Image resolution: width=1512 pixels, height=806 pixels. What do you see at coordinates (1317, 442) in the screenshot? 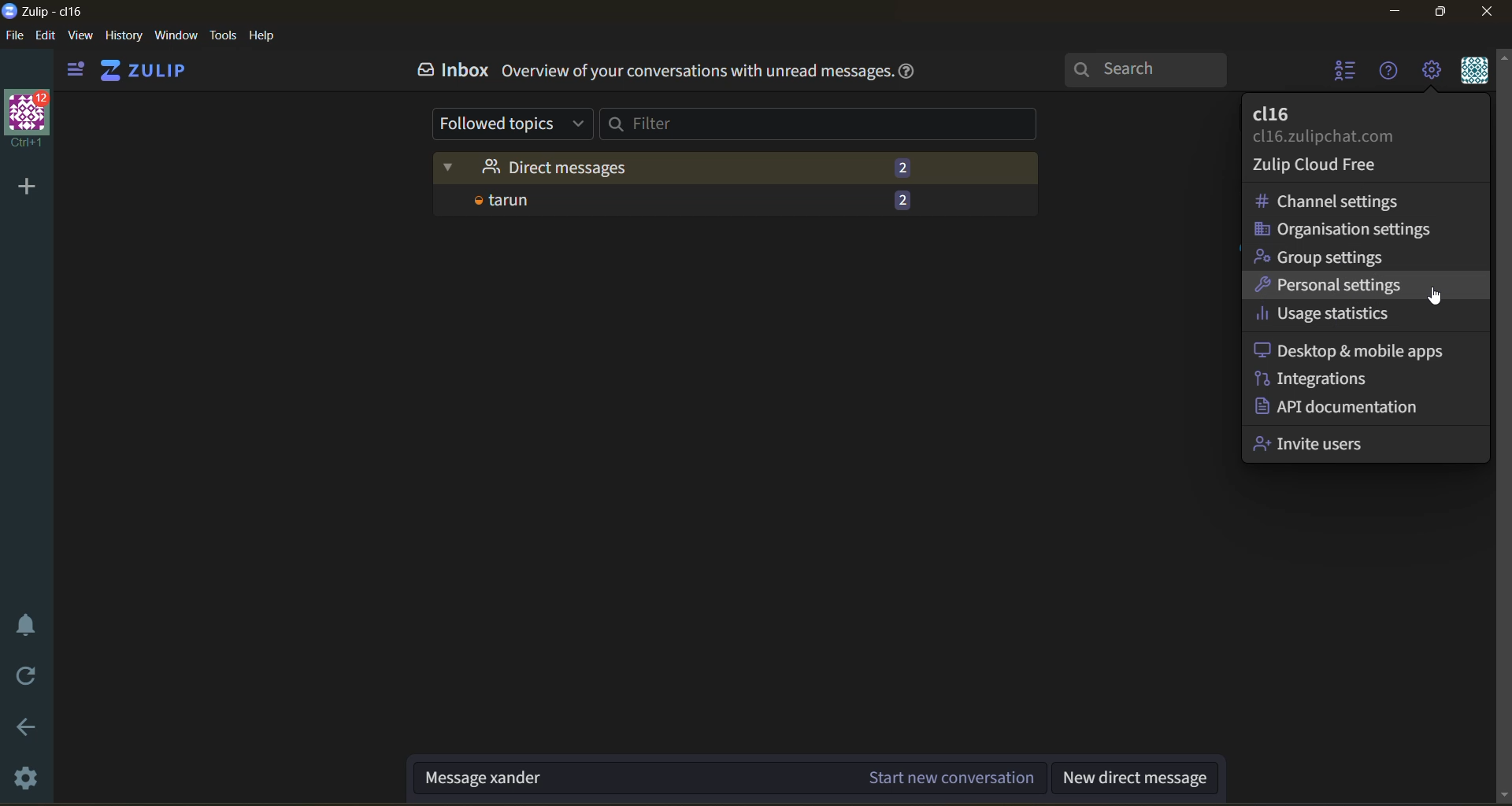
I see `invite users` at bounding box center [1317, 442].